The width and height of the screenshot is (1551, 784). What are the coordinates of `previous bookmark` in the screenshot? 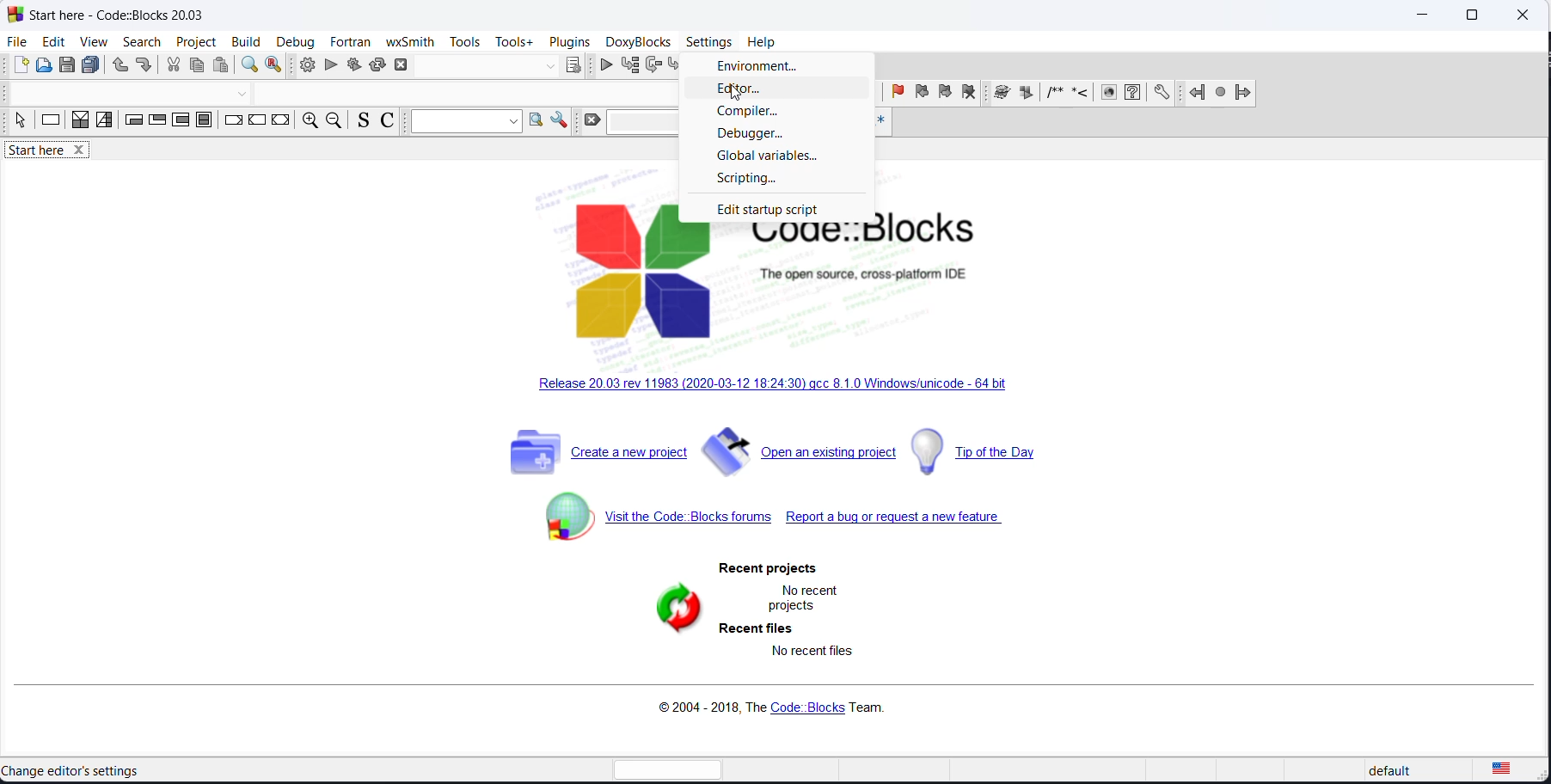 It's located at (922, 94).